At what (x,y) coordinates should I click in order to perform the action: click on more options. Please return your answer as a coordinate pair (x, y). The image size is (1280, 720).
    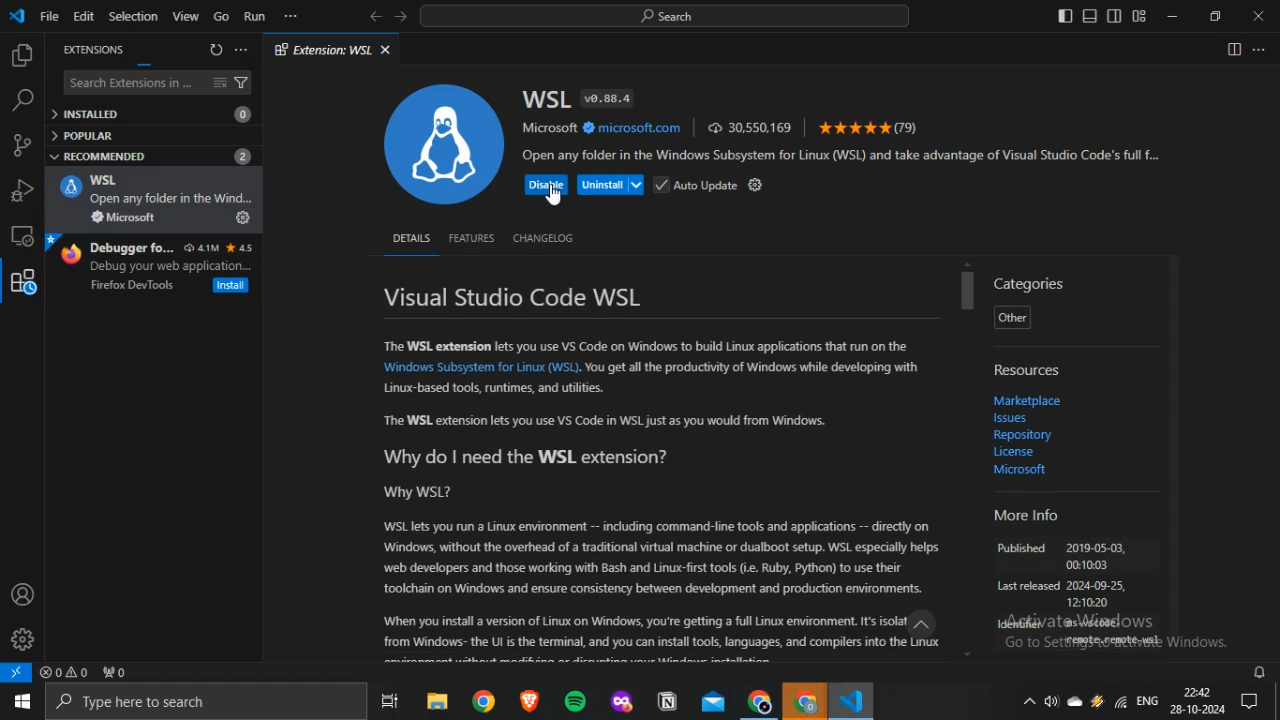
    Looking at the image, I should click on (290, 15).